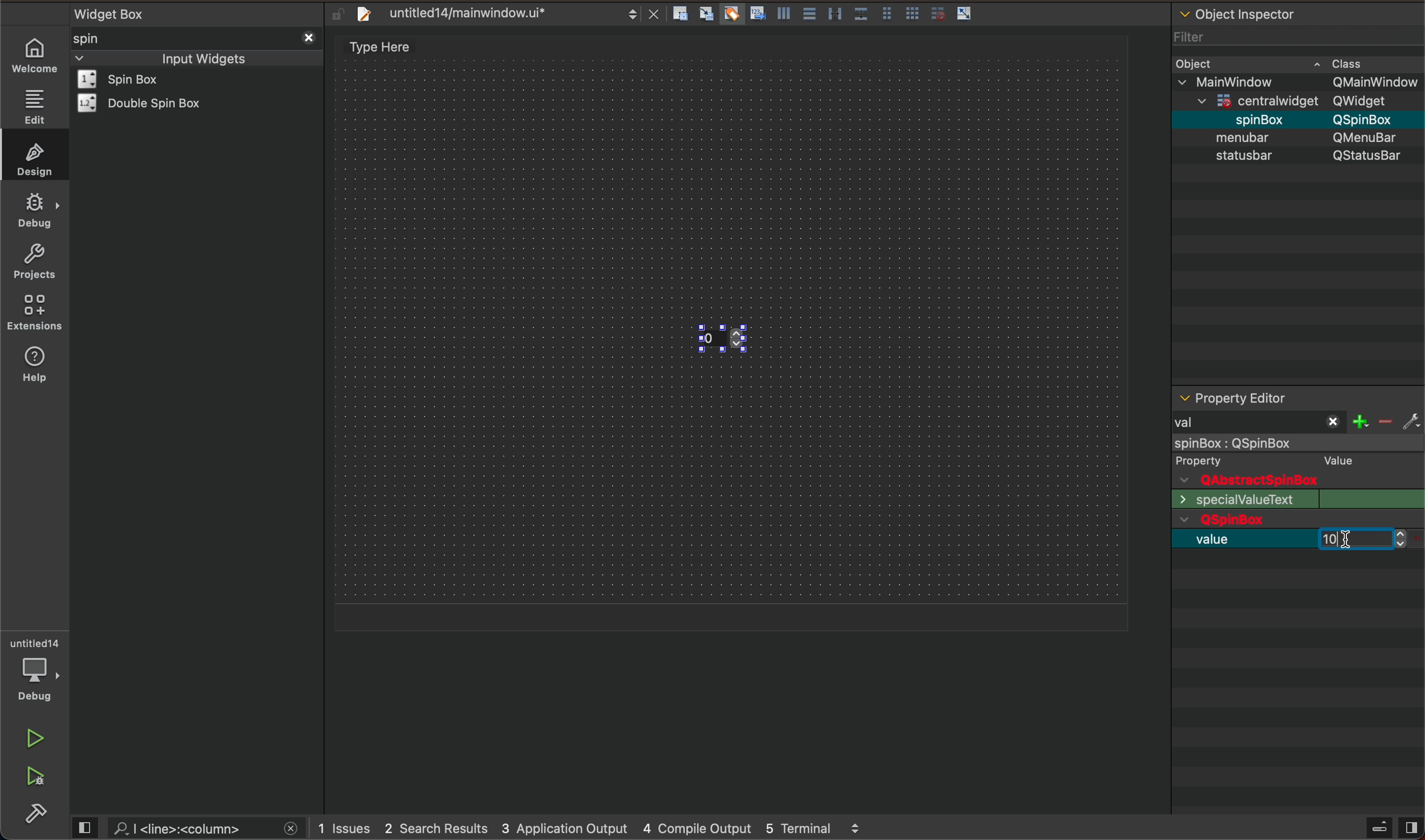 Image resolution: width=1425 pixels, height=840 pixels. What do you see at coordinates (1356, 539) in the screenshot?
I see `on enter` at bounding box center [1356, 539].